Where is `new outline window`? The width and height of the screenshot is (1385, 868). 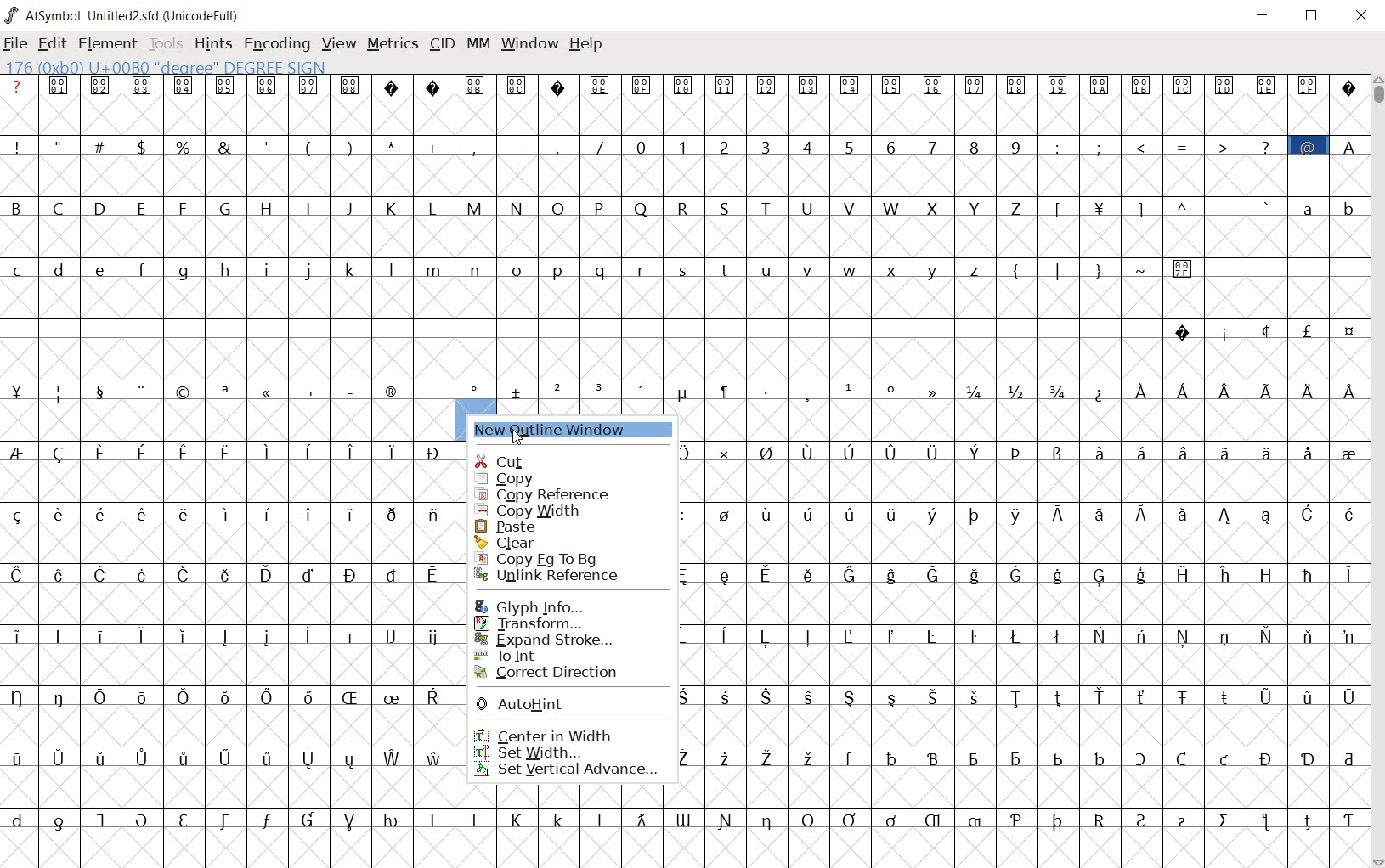
new outline window is located at coordinates (573, 431).